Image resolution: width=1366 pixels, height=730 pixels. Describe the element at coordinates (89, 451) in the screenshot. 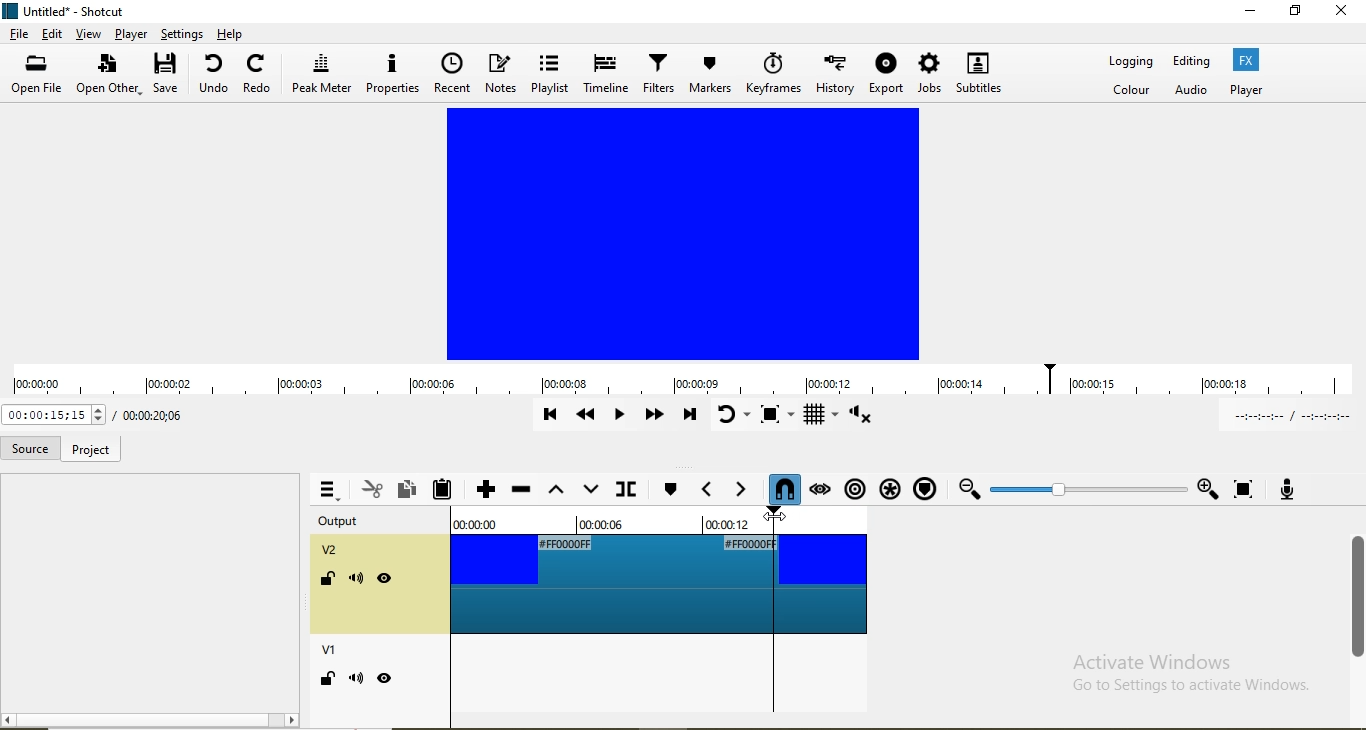

I see `project` at that location.